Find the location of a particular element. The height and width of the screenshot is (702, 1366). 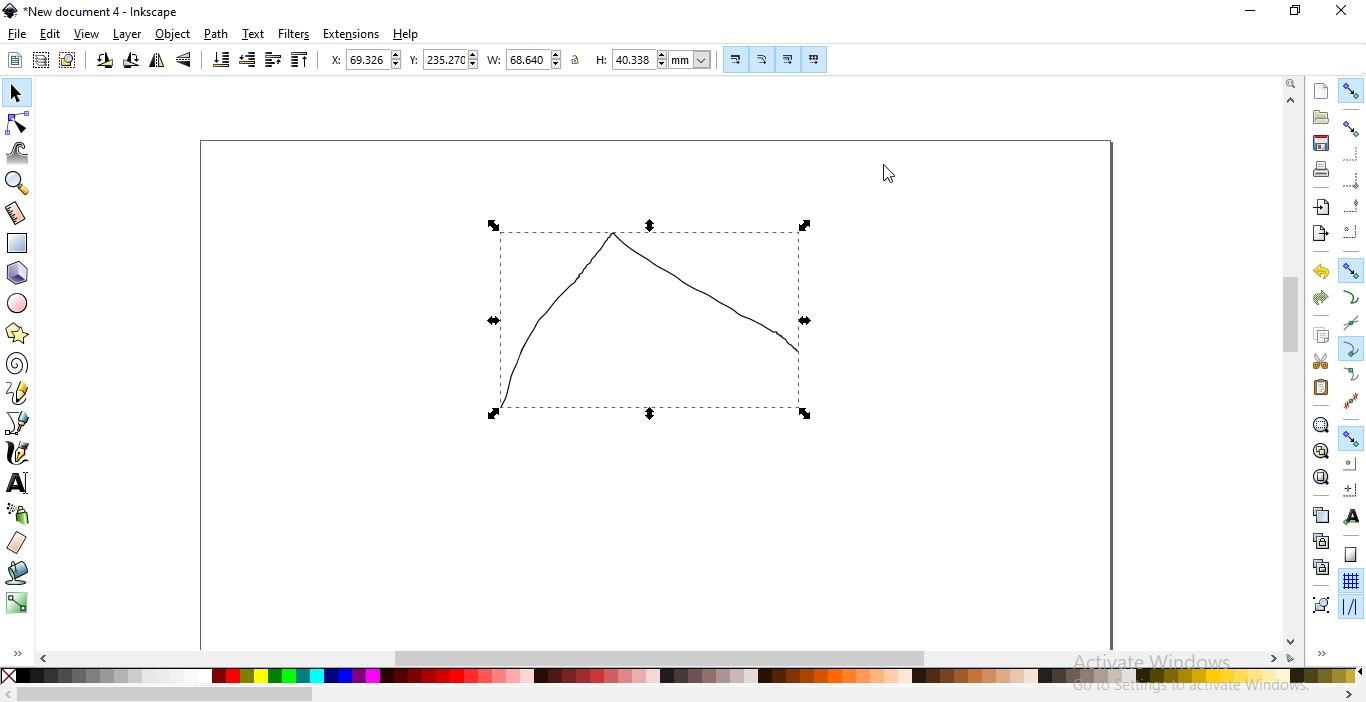

scrollbar is located at coordinates (166, 696).